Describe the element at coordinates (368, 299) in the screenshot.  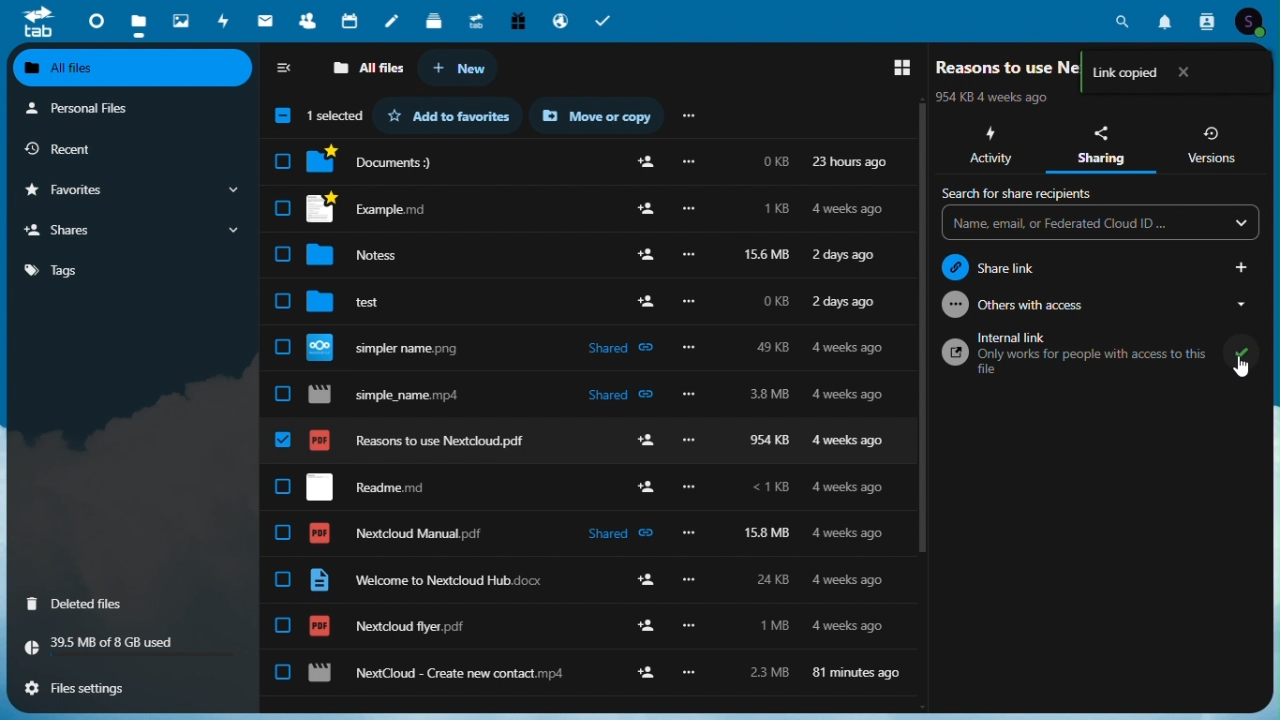
I see `test` at that location.